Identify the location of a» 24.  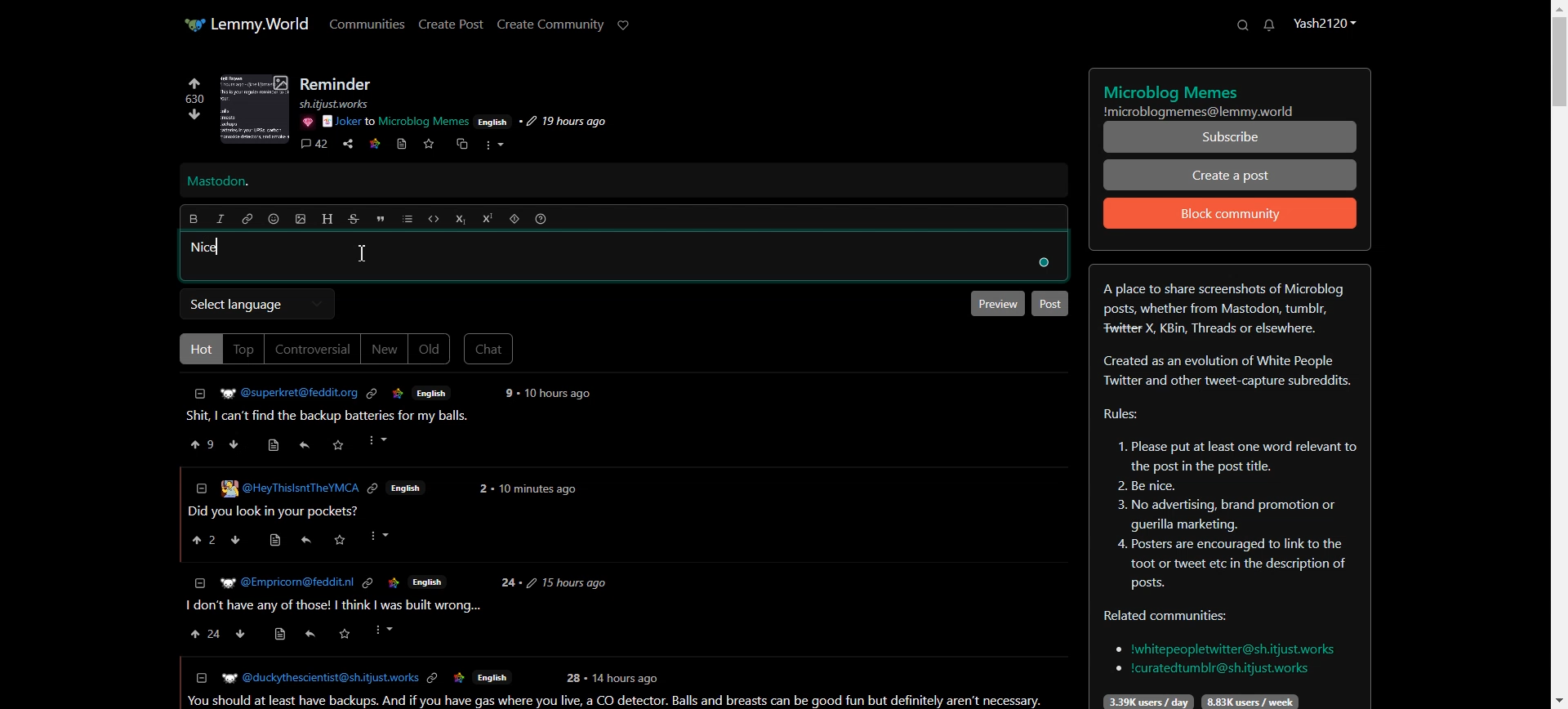
(203, 634).